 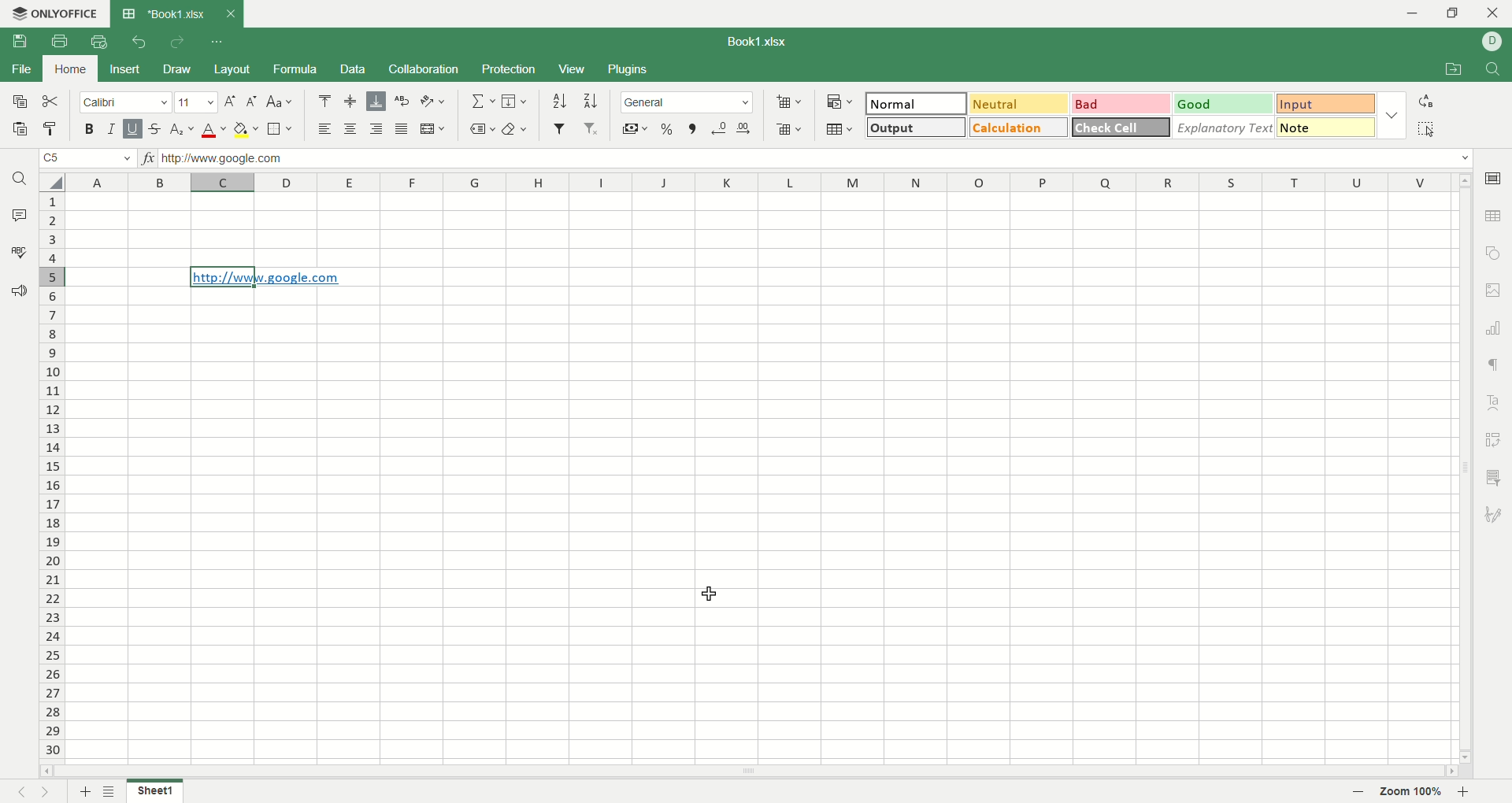 What do you see at coordinates (352, 69) in the screenshot?
I see `data` at bounding box center [352, 69].